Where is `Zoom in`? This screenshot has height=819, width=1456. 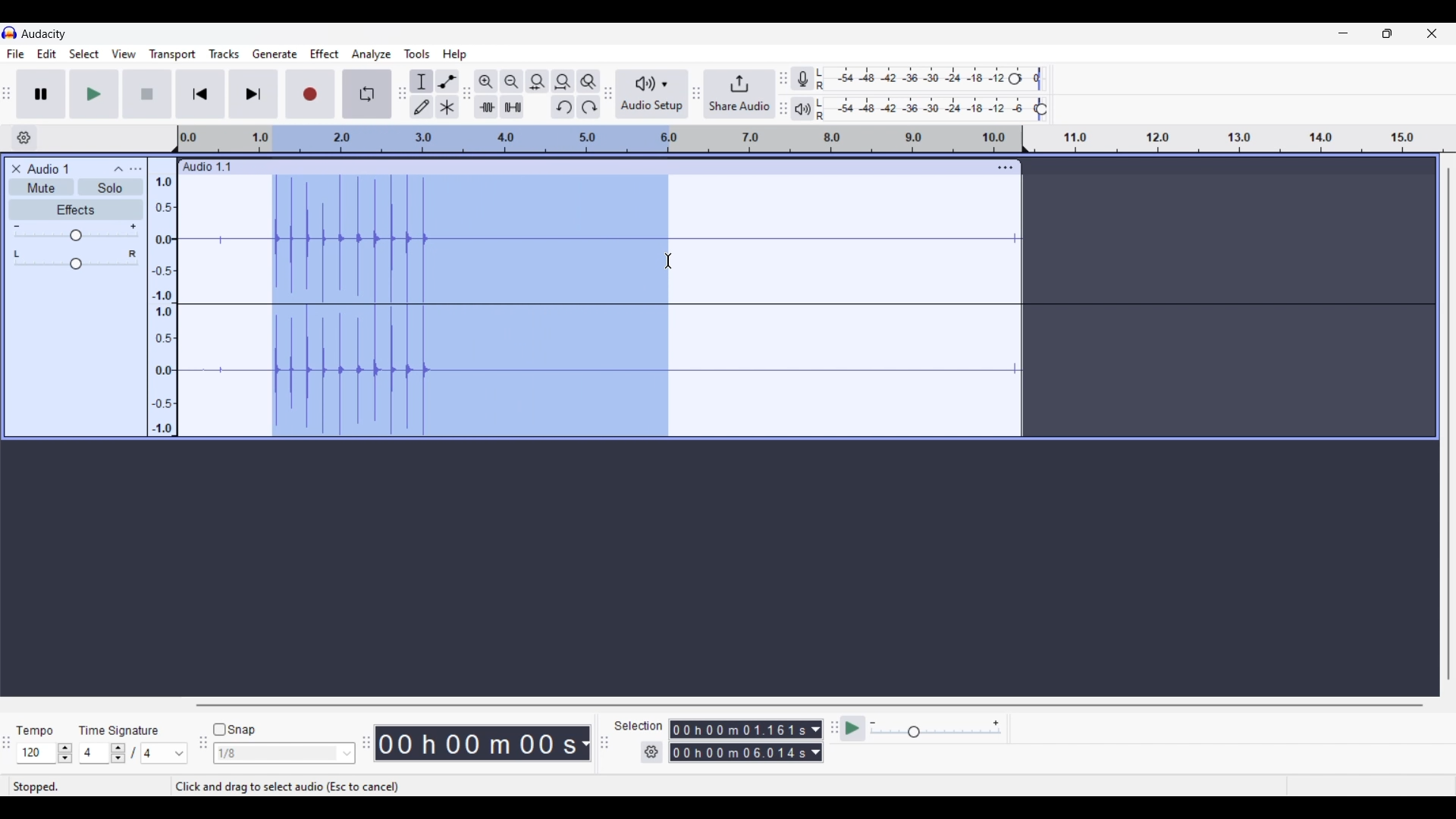 Zoom in is located at coordinates (485, 80).